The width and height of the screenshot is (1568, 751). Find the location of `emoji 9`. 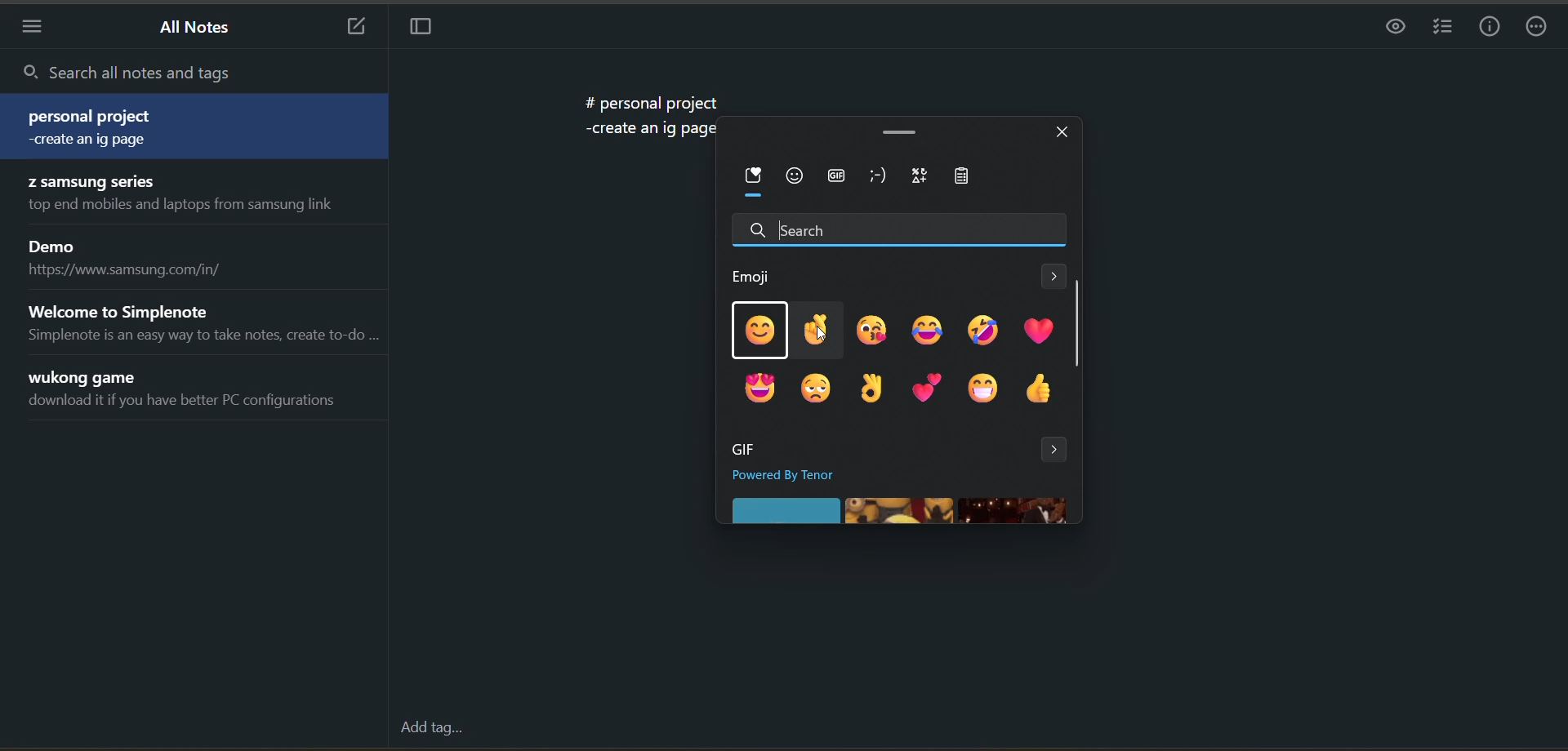

emoji 9 is located at coordinates (871, 389).